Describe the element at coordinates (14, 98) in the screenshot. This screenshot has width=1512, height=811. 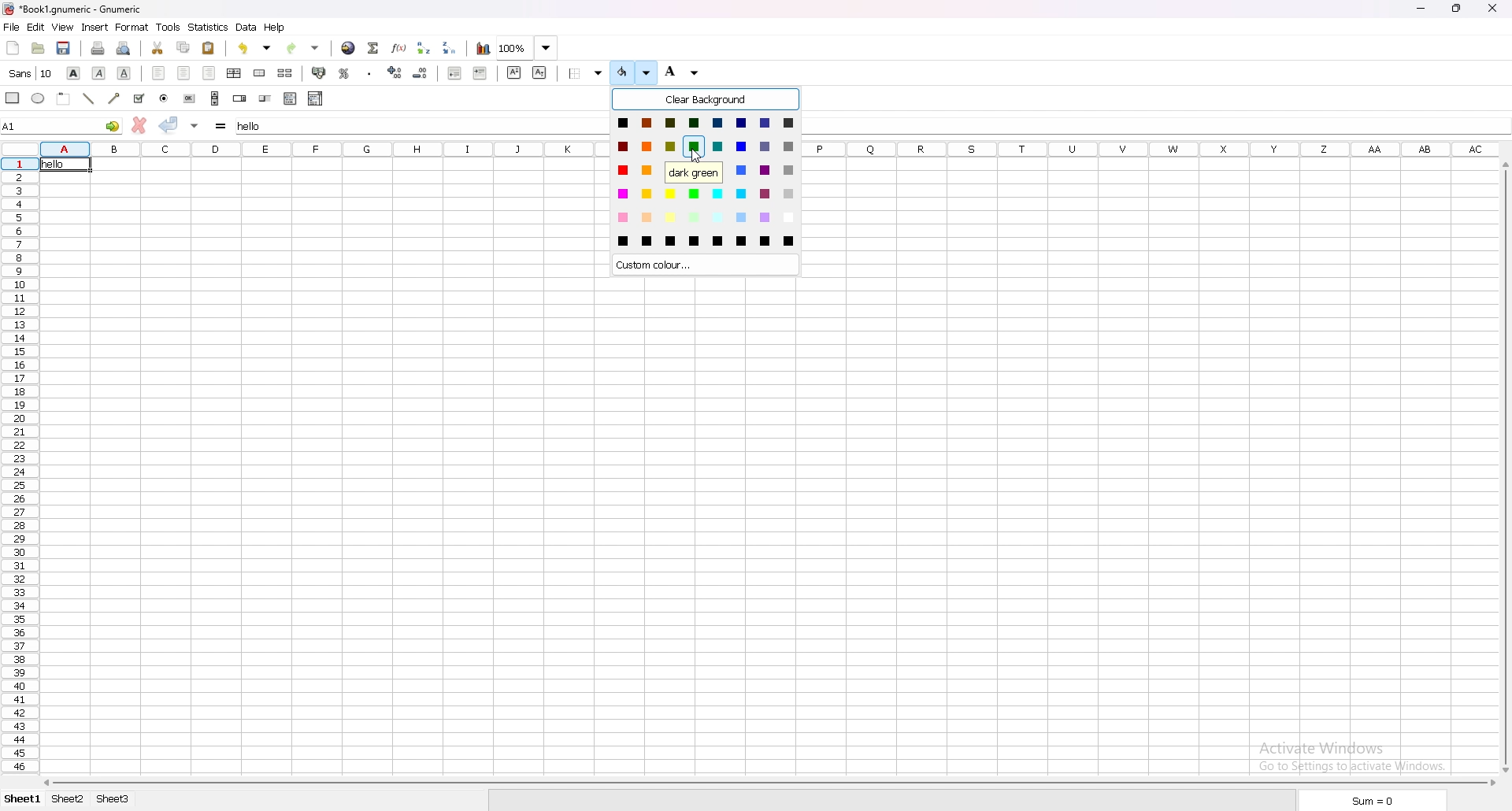
I see `rectangle` at that location.